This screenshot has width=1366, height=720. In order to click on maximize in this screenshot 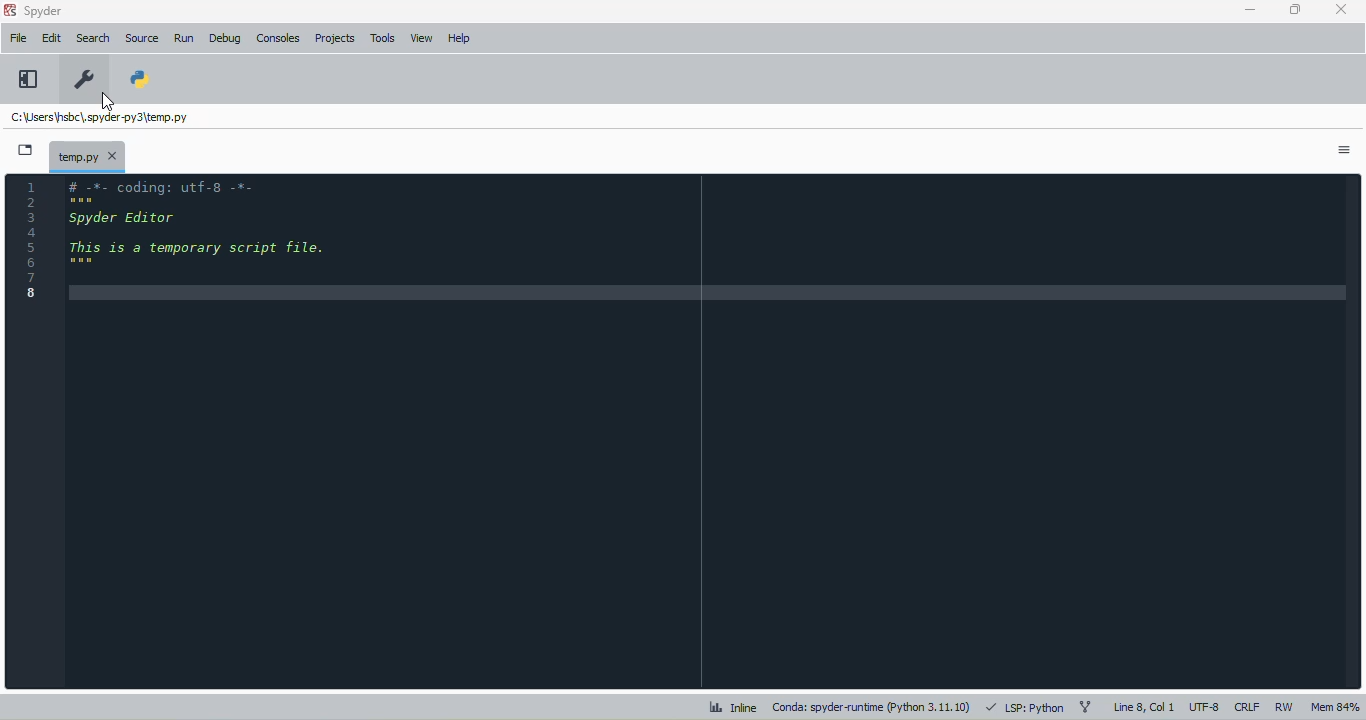, I will do `click(1295, 10)`.